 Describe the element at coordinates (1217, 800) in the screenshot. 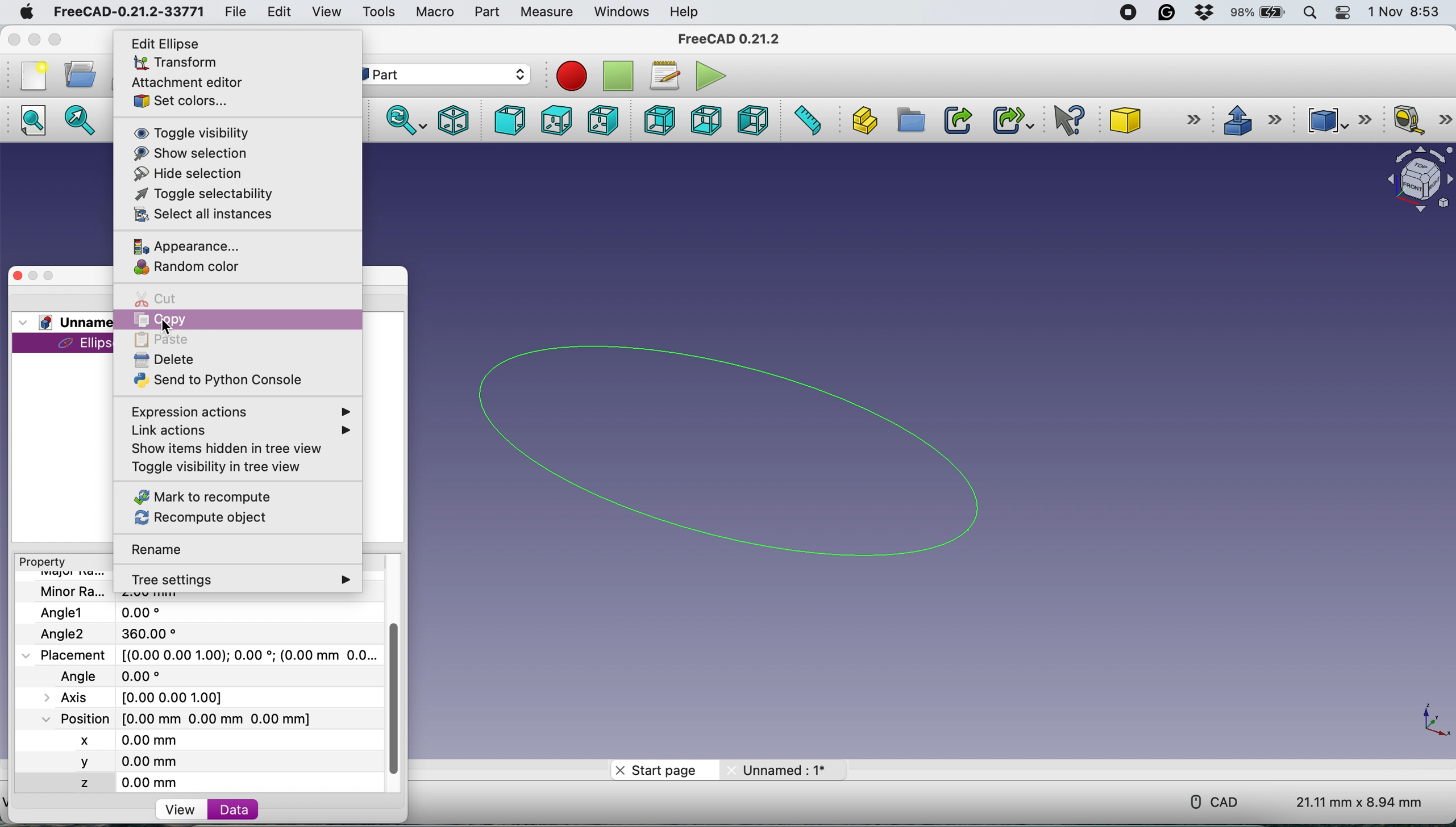

I see `cad` at that location.